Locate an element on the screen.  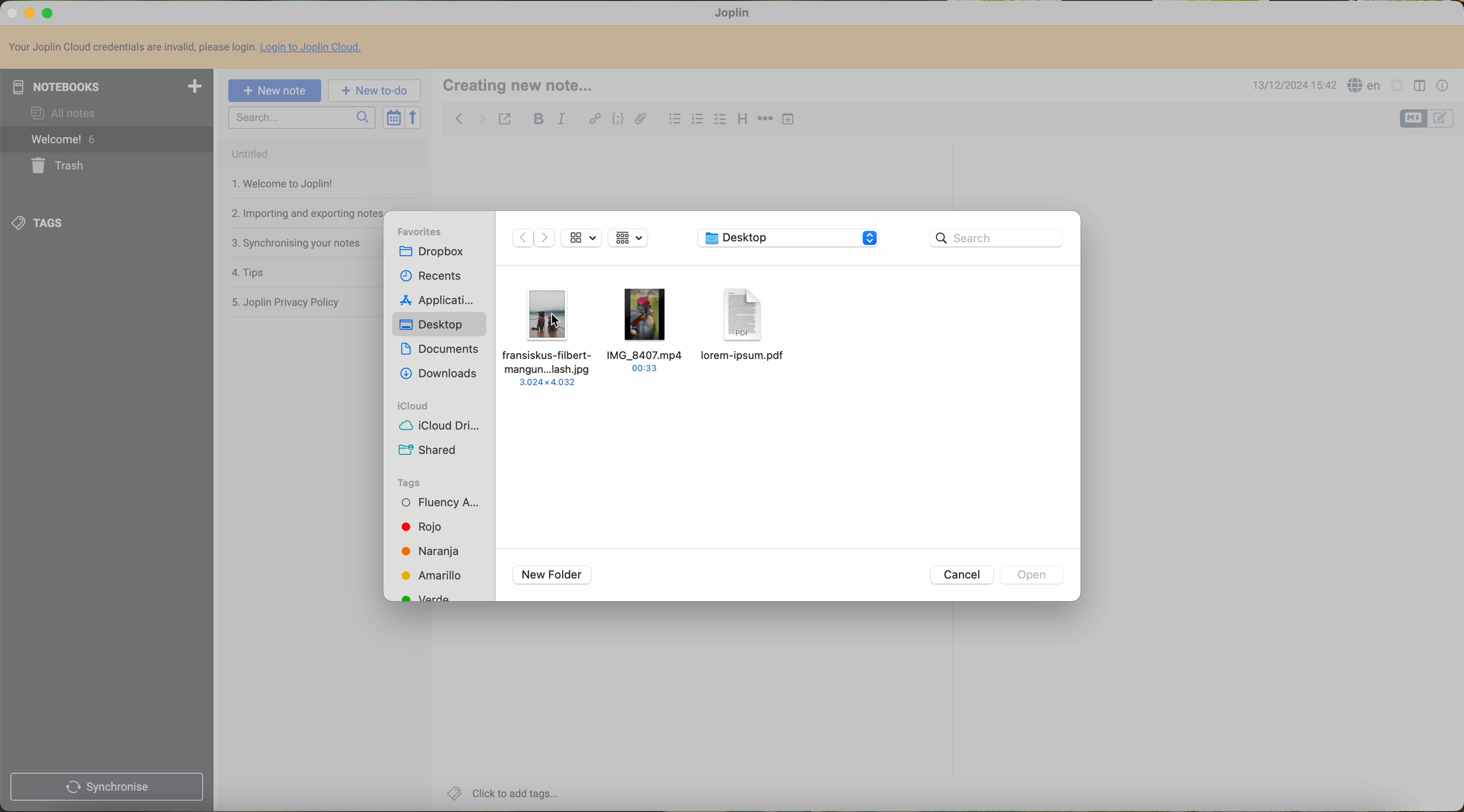
notebooks is located at coordinates (107, 86).